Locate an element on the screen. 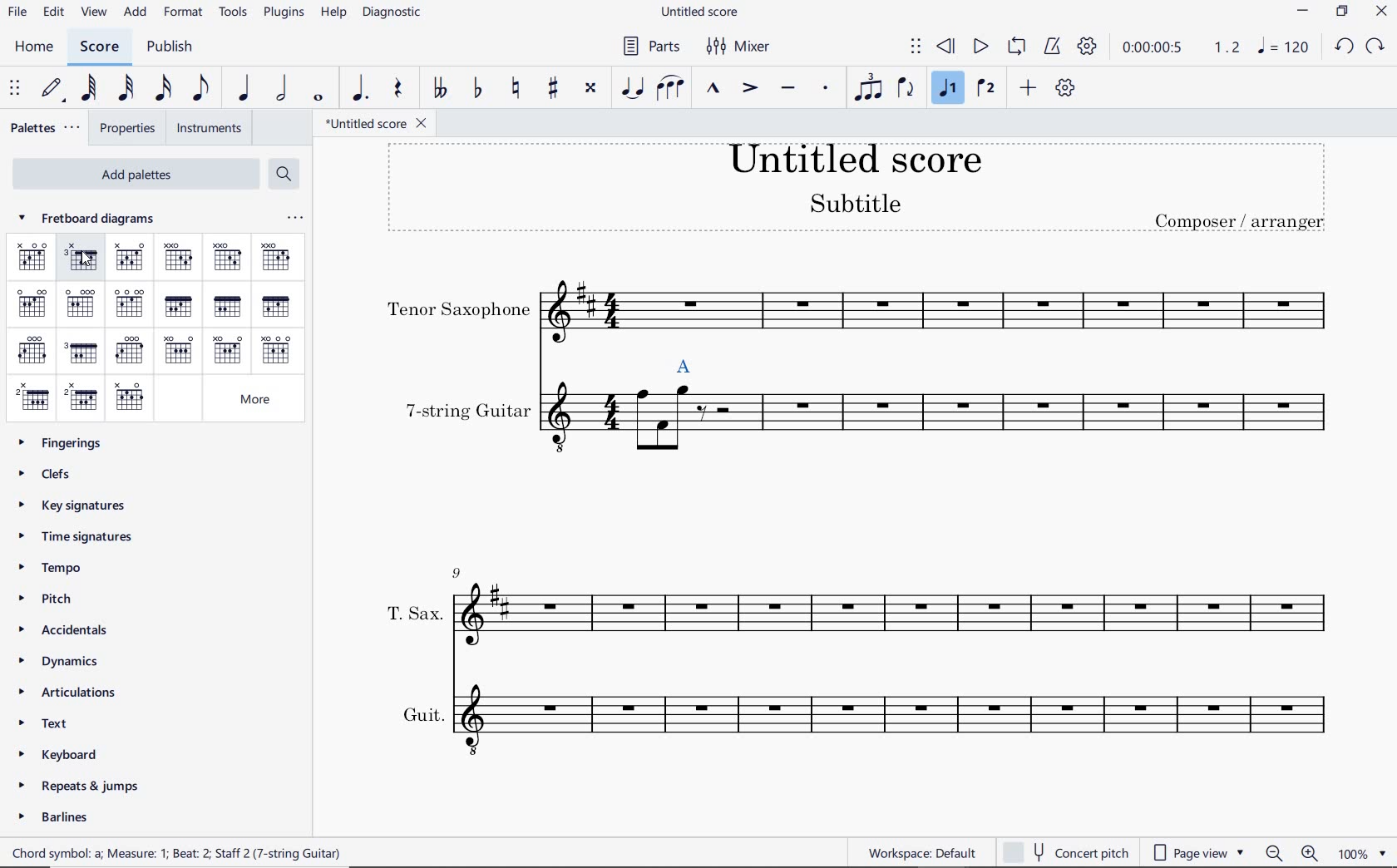  DEFAULT (STEP TIME) is located at coordinates (52, 91).